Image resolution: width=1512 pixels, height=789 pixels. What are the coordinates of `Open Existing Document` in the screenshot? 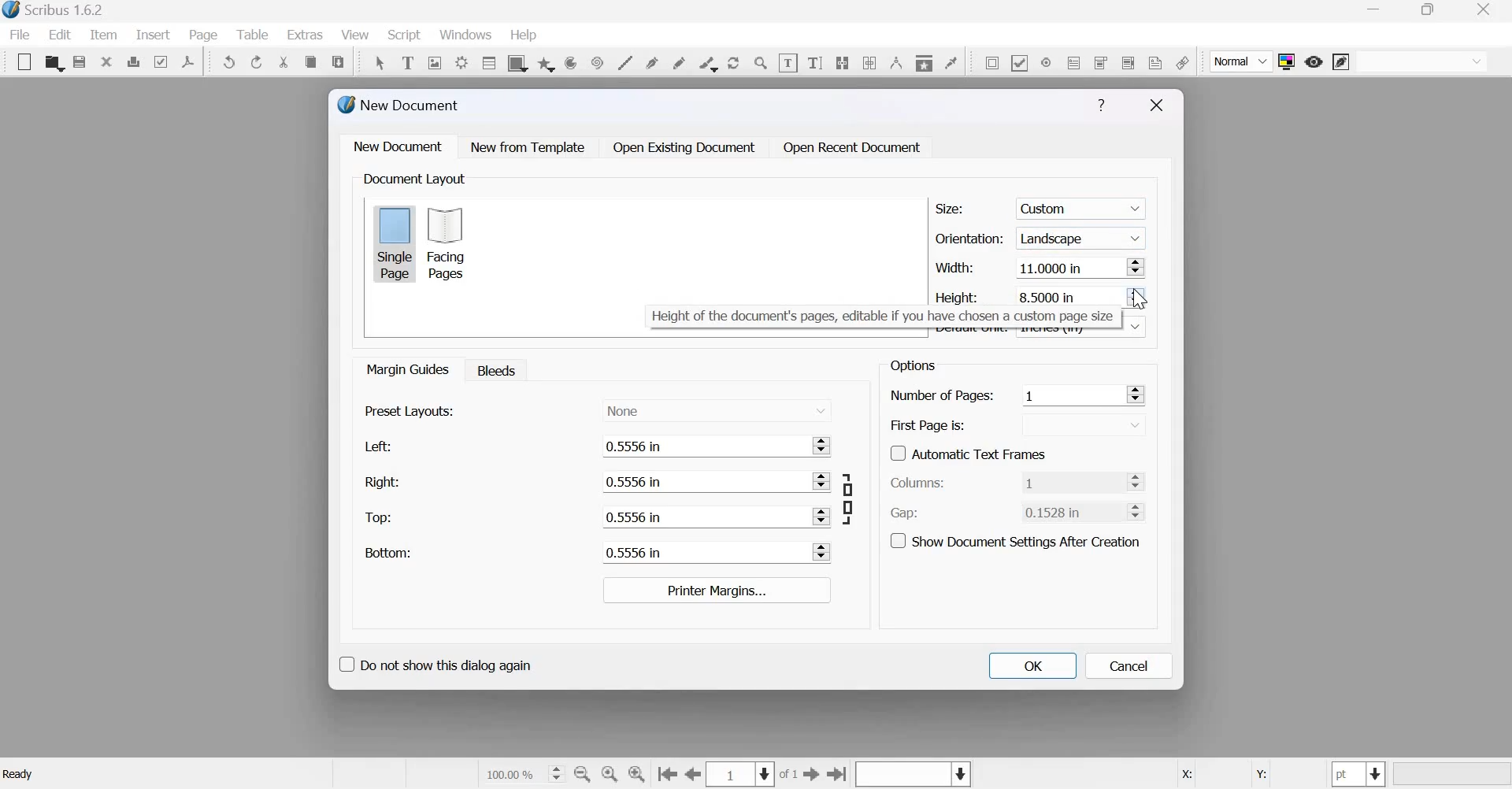 It's located at (683, 147).